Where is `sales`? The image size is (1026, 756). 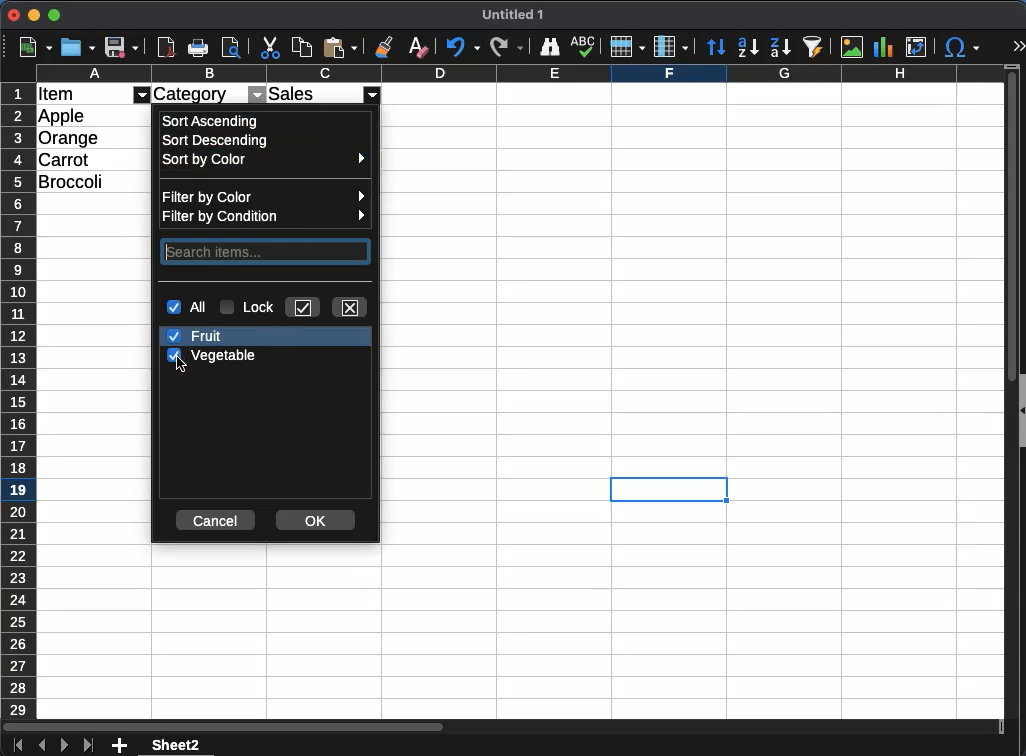
sales is located at coordinates (310, 92).